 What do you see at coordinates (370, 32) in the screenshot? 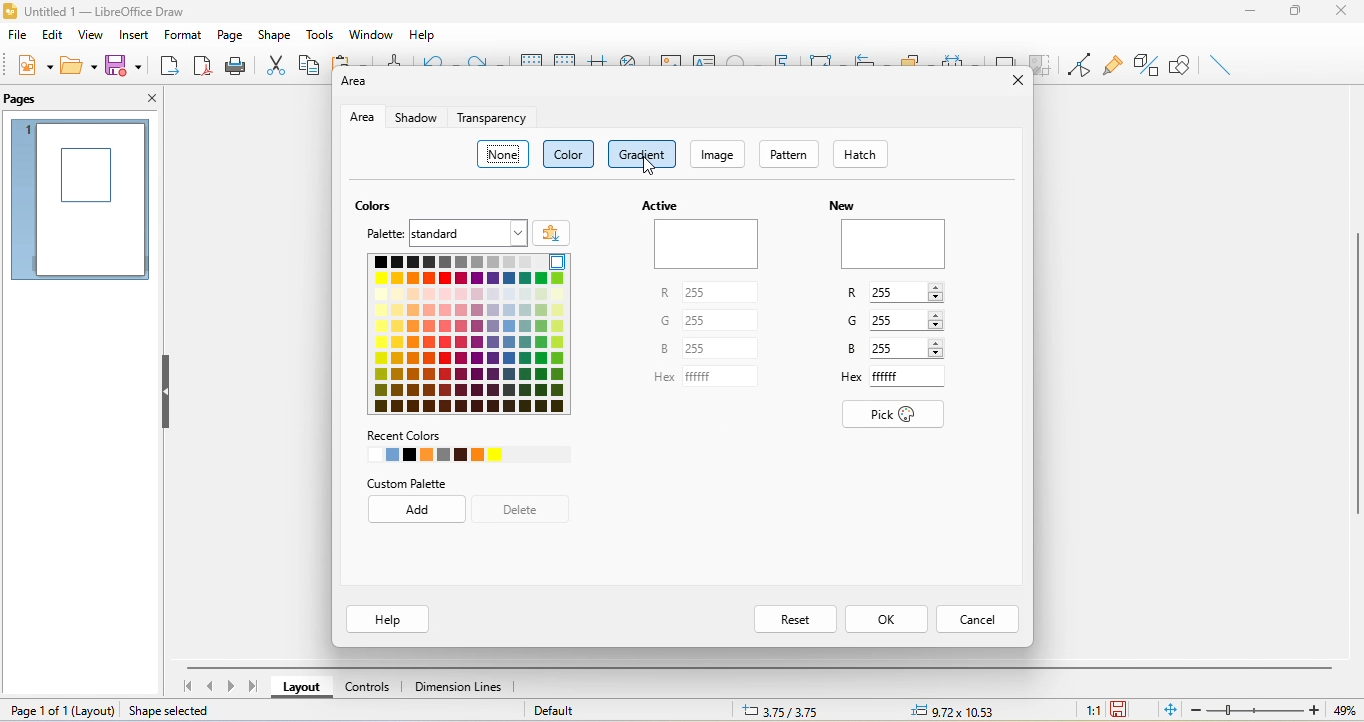
I see `window` at bounding box center [370, 32].